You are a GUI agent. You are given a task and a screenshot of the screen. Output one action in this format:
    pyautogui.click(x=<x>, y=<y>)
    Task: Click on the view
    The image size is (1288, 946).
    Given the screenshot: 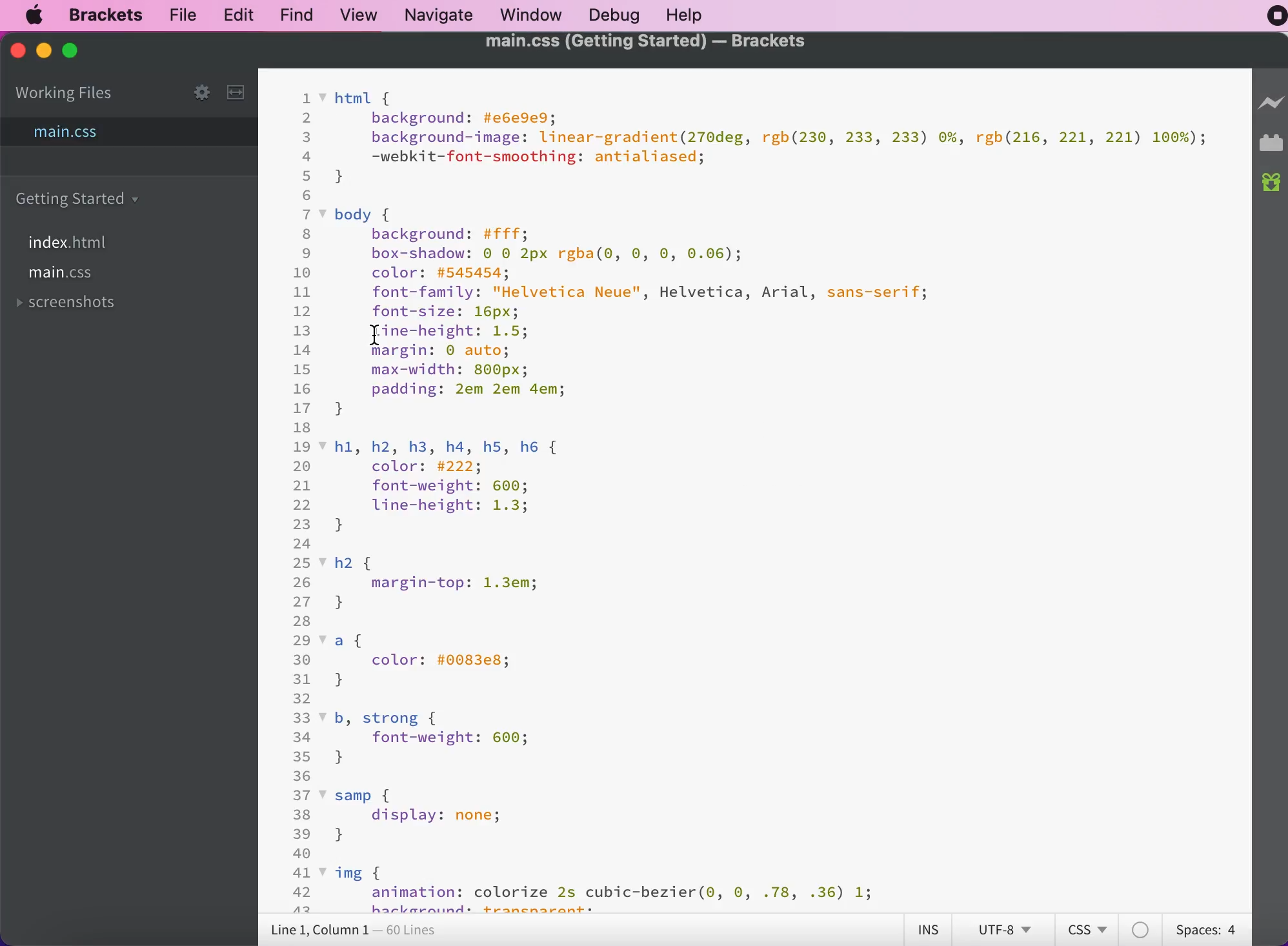 What is the action you would take?
    pyautogui.click(x=361, y=14)
    